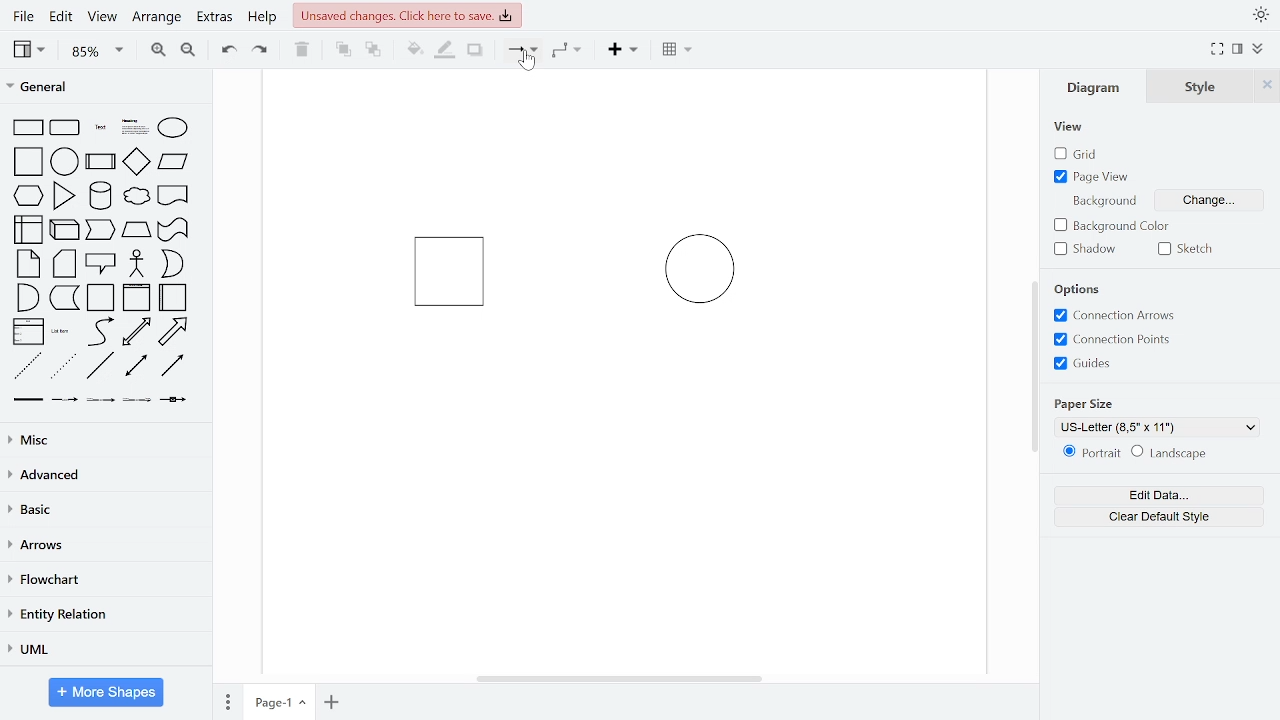  What do you see at coordinates (1112, 339) in the screenshot?
I see `connection points` at bounding box center [1112, 339].